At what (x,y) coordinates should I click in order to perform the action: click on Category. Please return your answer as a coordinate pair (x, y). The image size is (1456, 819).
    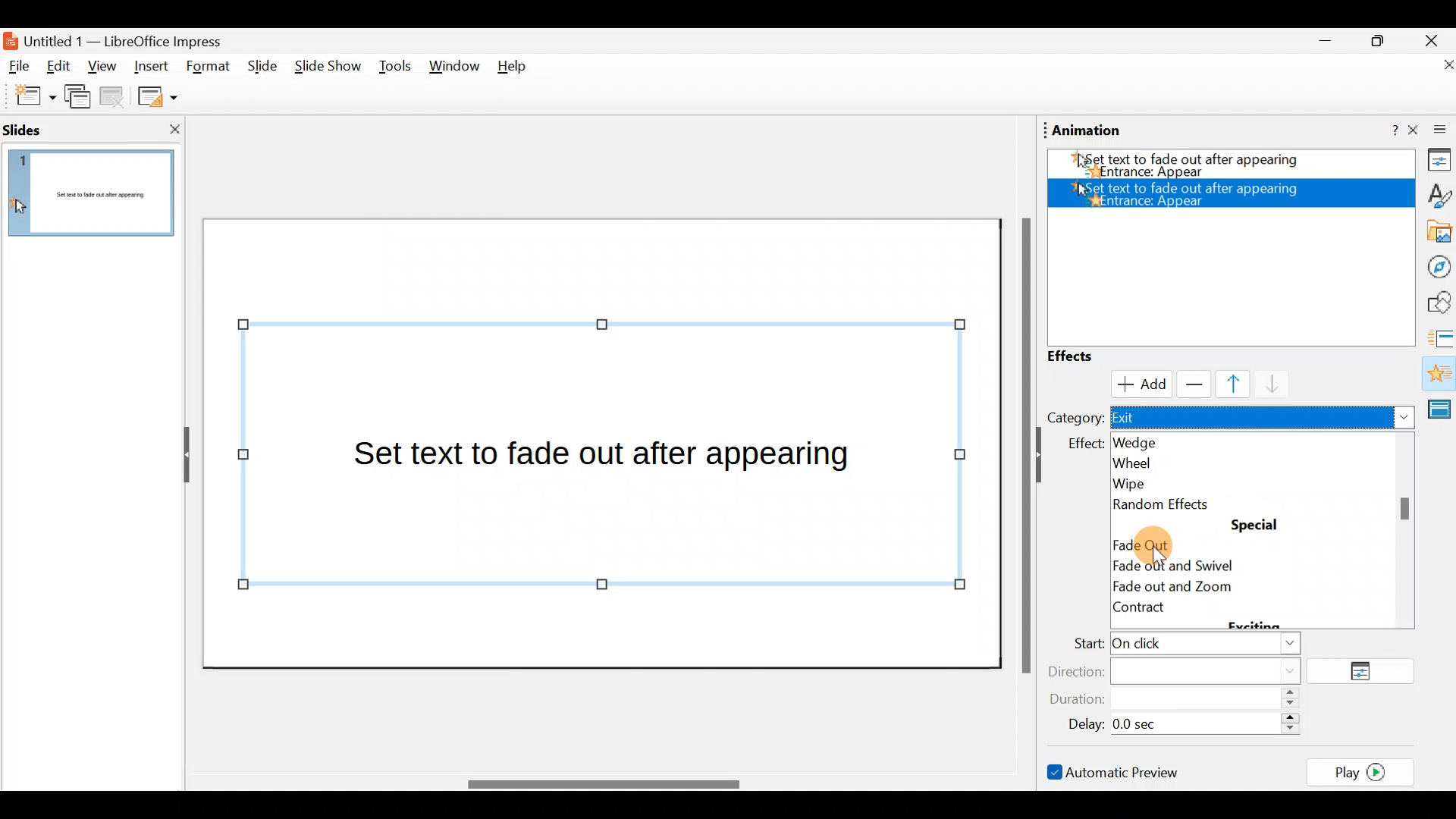
    Looking at the image, I should click on (1075, 417).